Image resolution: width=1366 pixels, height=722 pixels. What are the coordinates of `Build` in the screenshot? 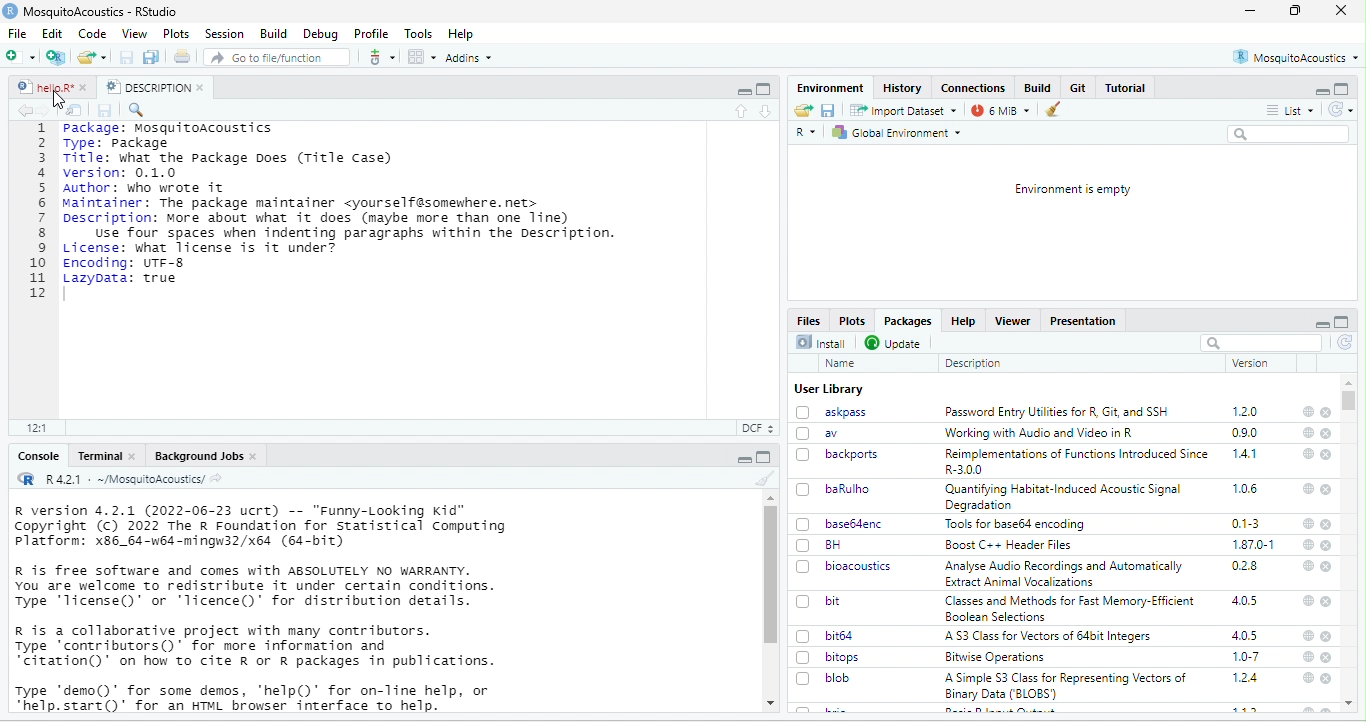 It's located at (271, 33).